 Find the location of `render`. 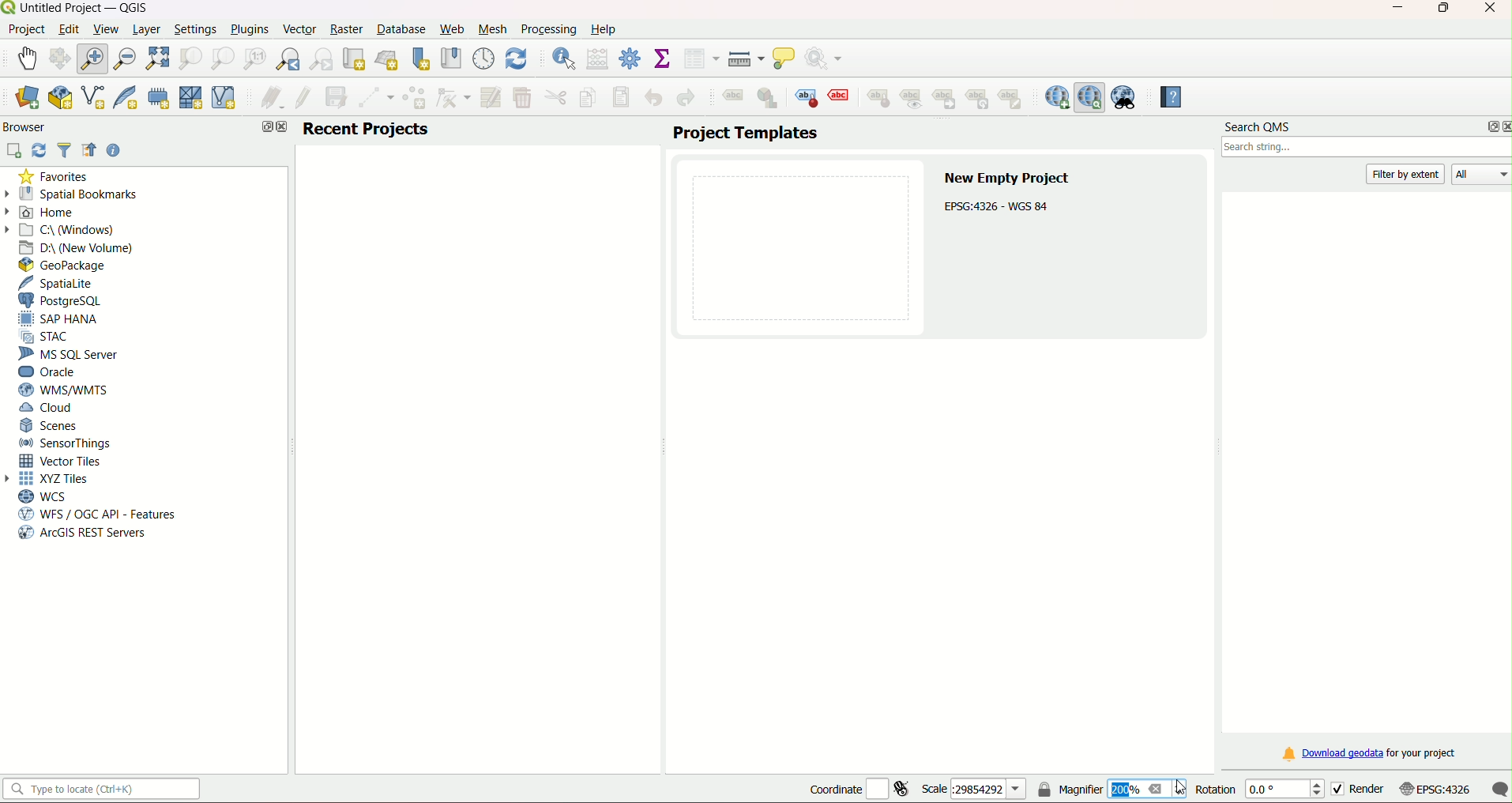

render is located at coordinates (1356, 789).